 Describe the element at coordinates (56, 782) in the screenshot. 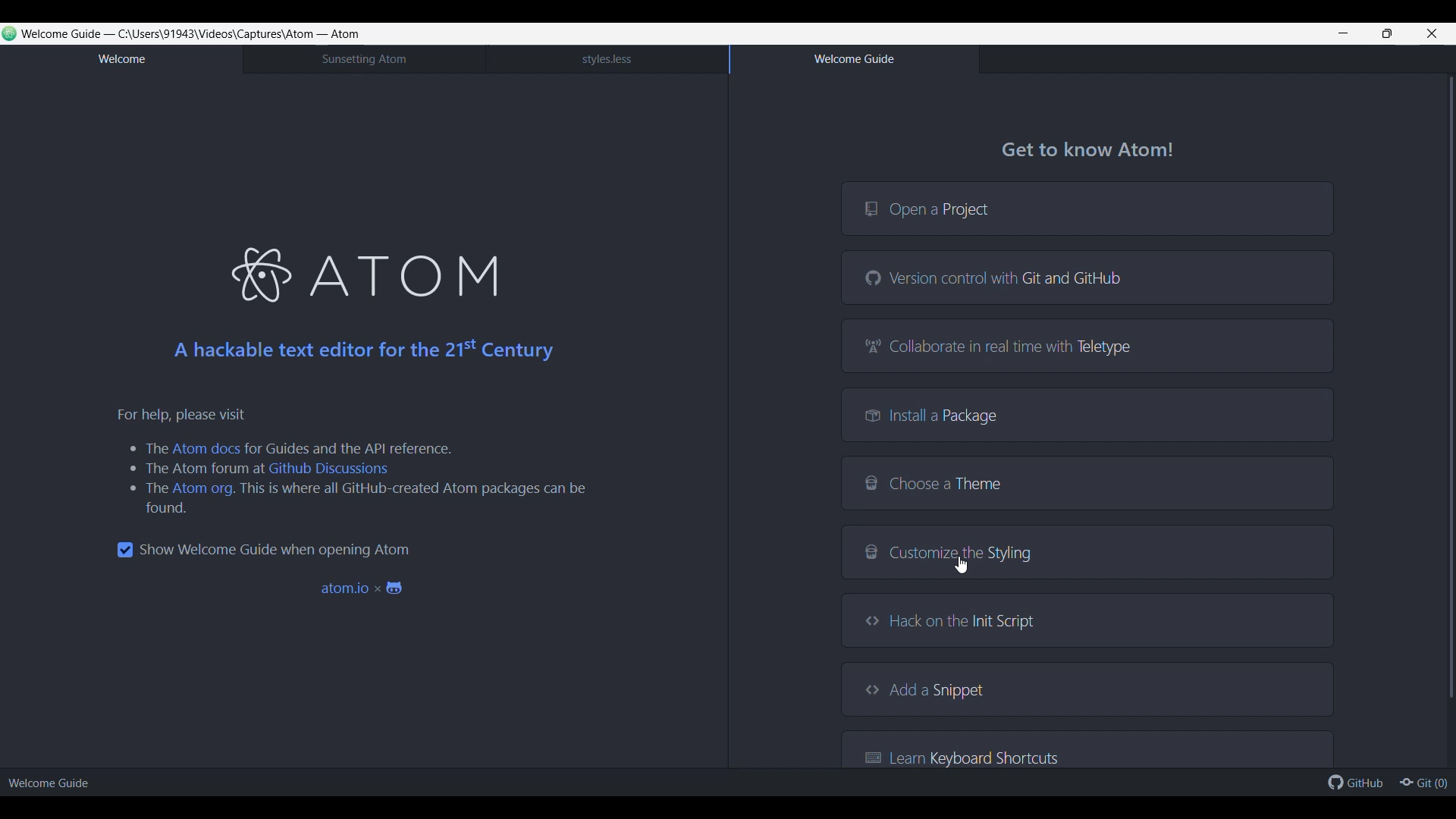

I see `Welcome Guide` at that location.